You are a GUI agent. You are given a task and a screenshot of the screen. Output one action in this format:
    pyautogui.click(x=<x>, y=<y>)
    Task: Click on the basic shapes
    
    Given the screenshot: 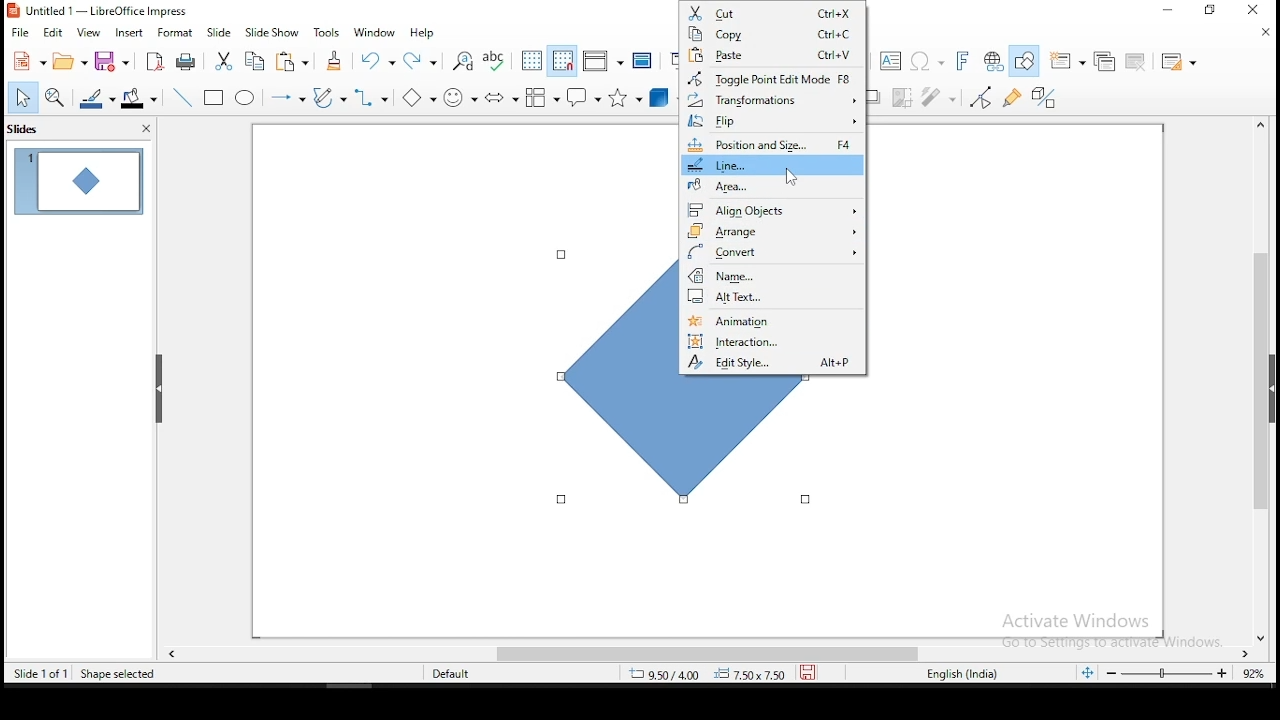 What is the action you would take?
    pyautogui.click(x=423, y=98)
    